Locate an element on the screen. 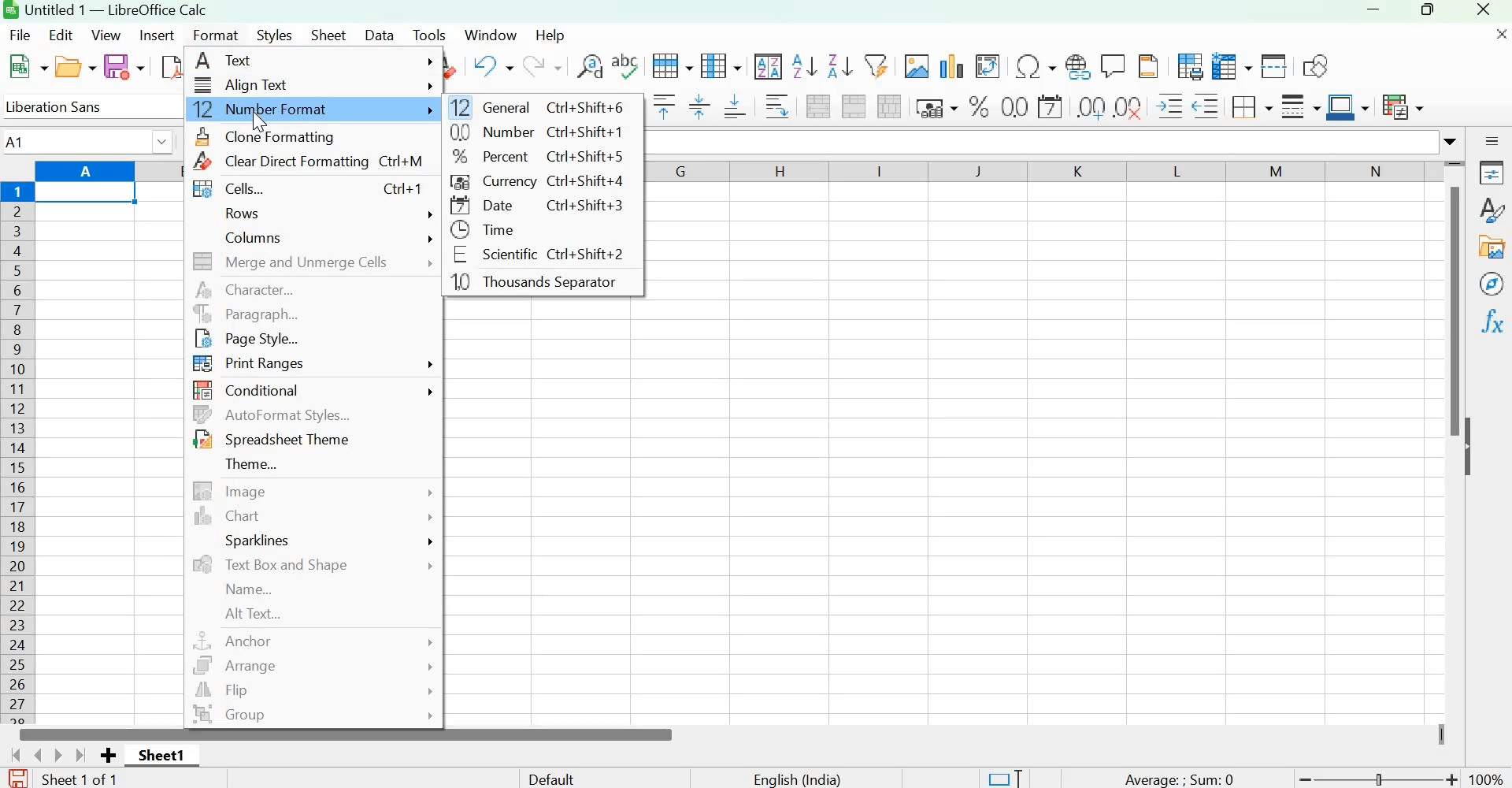 The image size is (1512, 788). Sidebar settings is located at coordinates (1492, 139).